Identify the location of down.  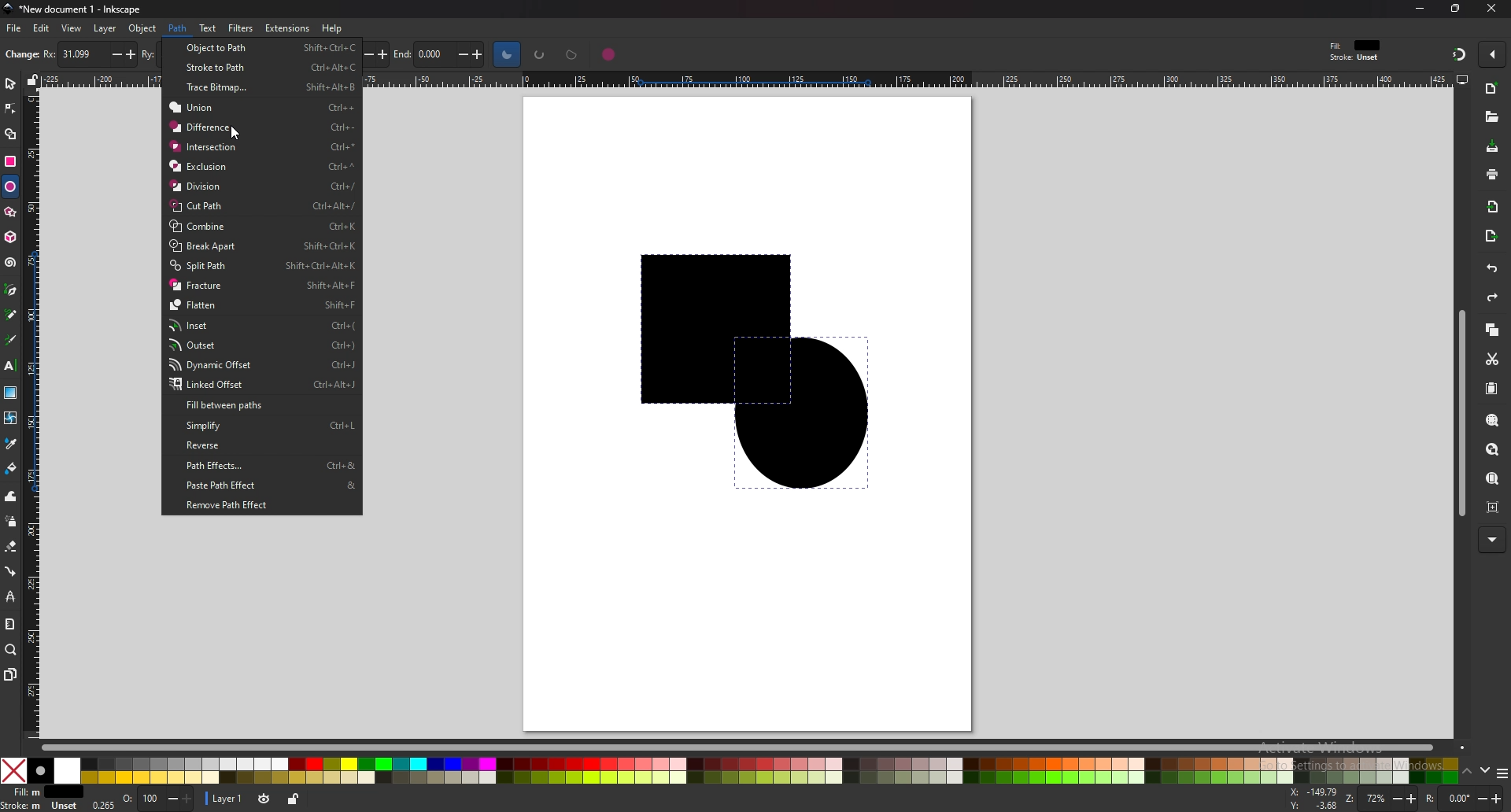
(1487, 773).